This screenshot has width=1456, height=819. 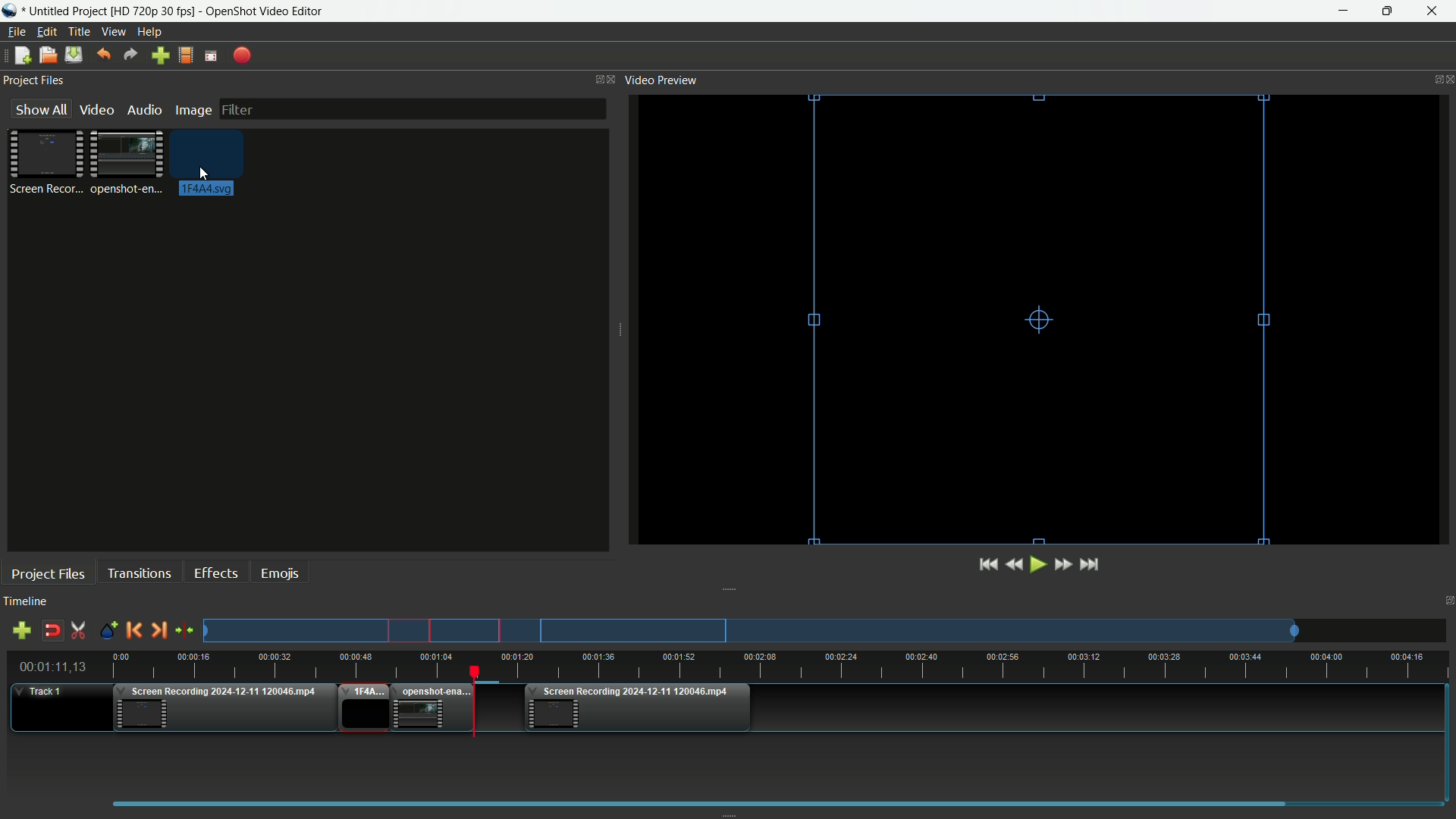 What do you see at coordinates (639, 708) in the screenshot?
I see `Video three in timeline` at bounding box center [639, 708].